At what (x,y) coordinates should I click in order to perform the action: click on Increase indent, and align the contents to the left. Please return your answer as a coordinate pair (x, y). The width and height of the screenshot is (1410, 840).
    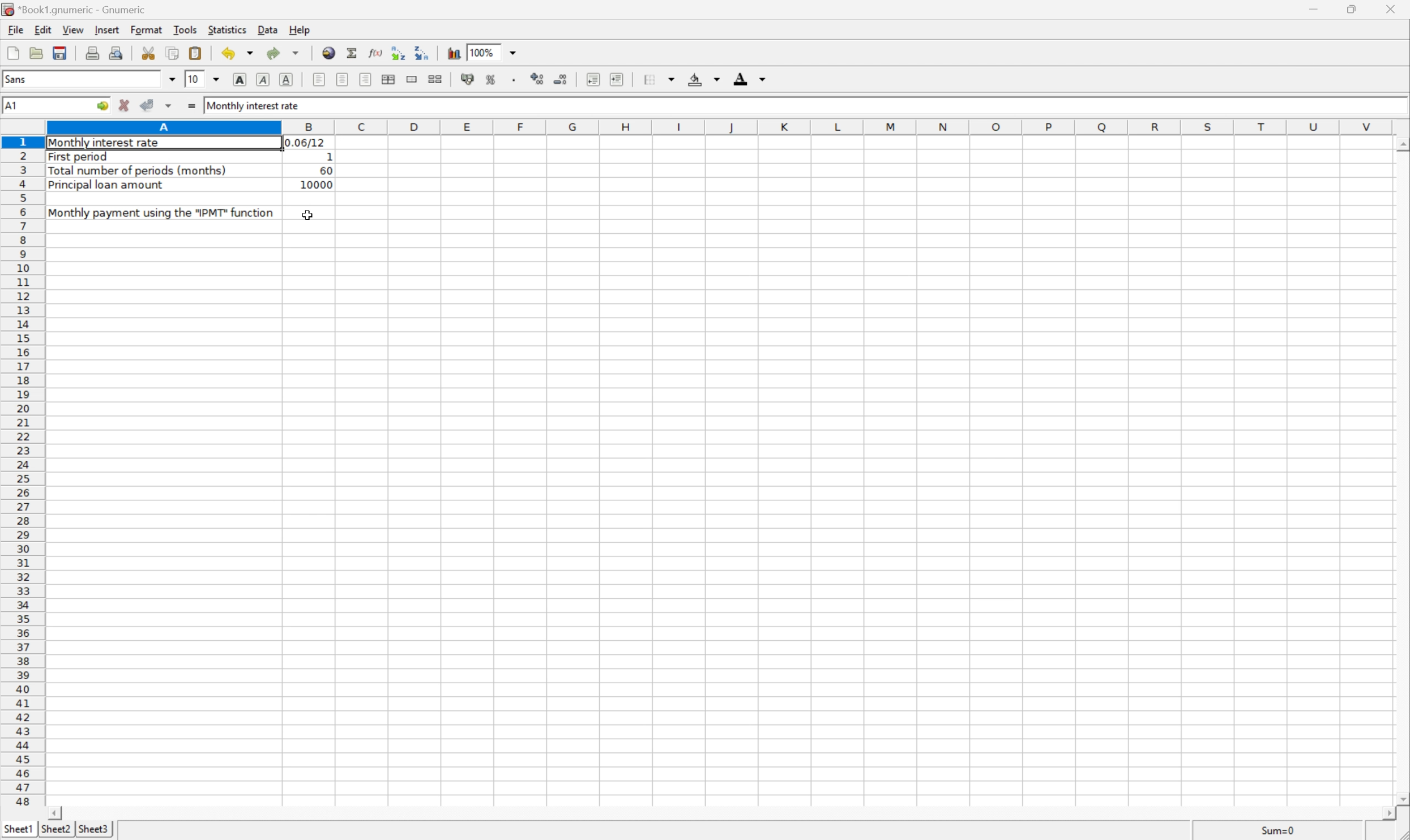
    Looking at the image, I should click on (619, 79).